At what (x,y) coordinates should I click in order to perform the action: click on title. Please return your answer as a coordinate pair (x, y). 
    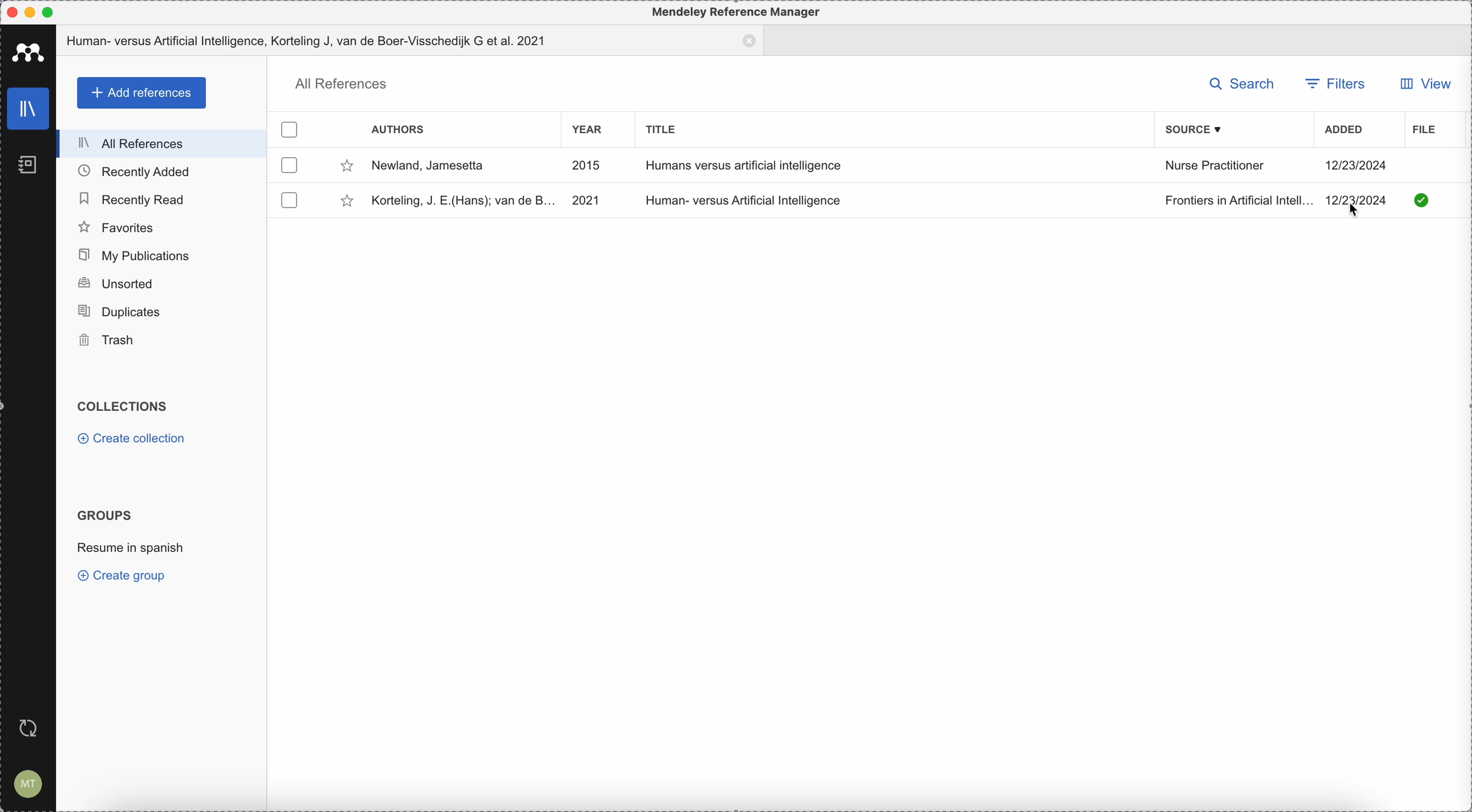
    Looking at the image, I should click on (666, 129).